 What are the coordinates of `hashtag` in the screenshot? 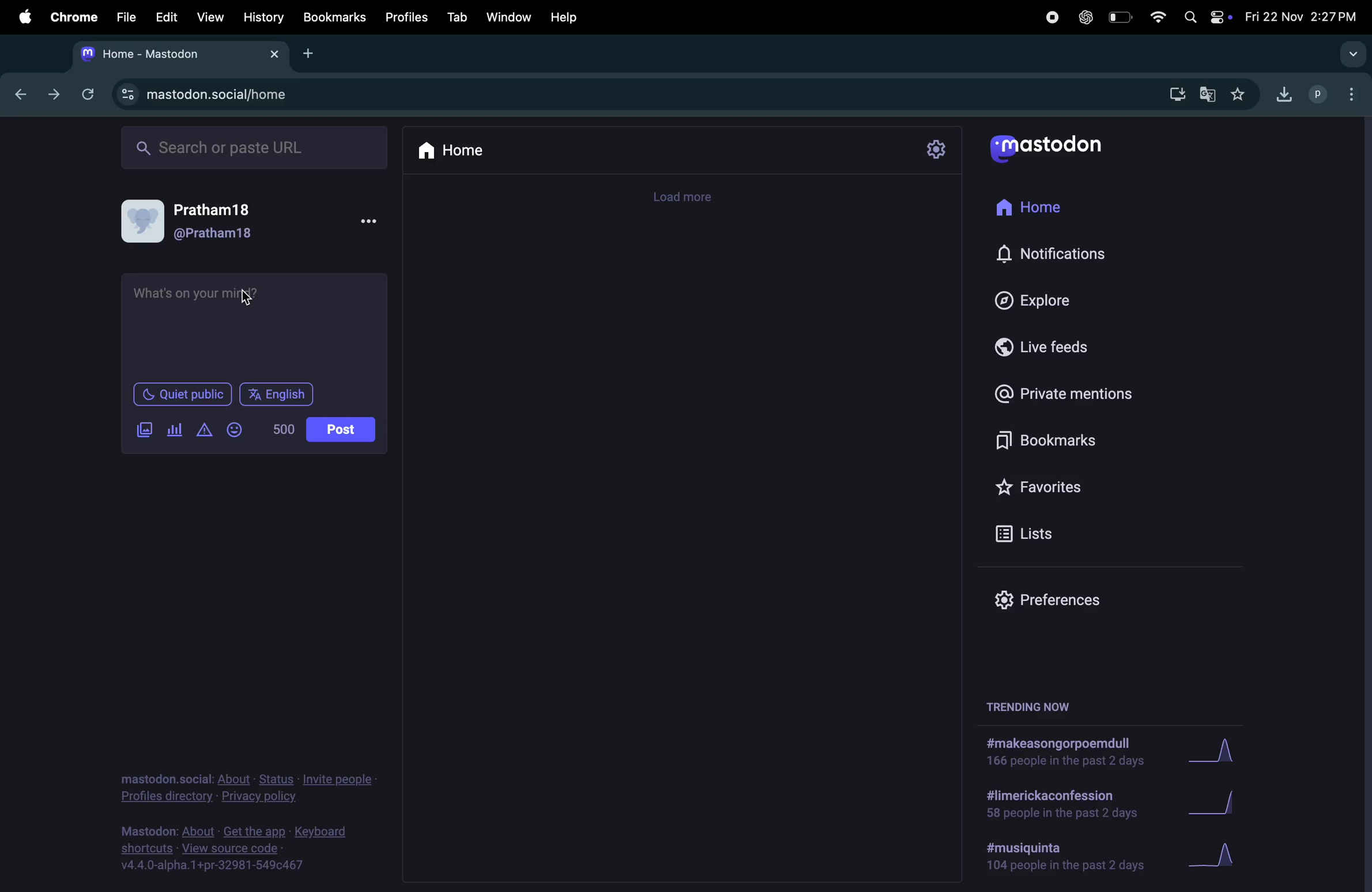 It's located at (1065, 858).